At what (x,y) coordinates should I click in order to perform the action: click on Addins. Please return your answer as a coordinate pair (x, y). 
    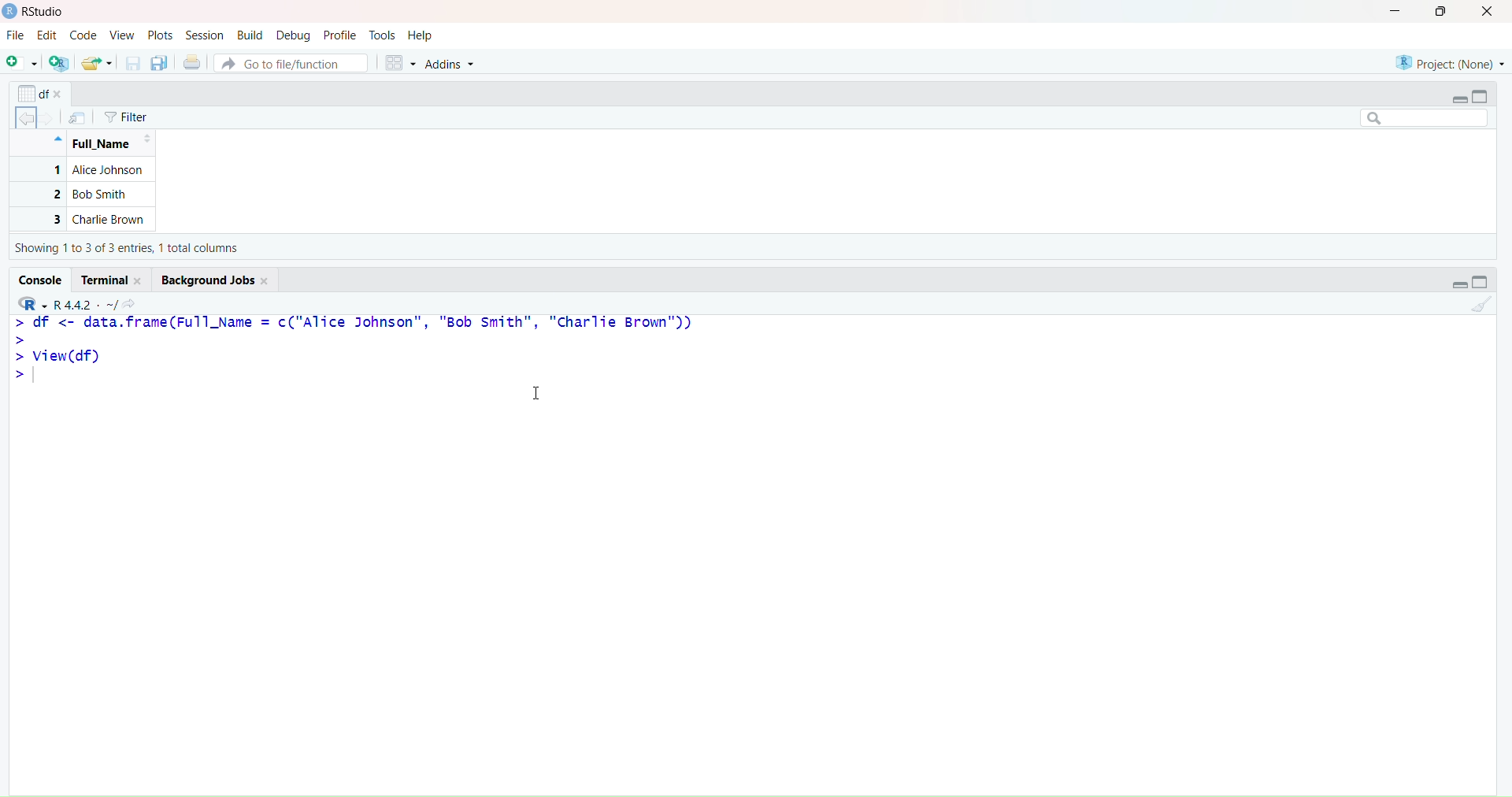
    Looking at the image, I should click on (453, 64).